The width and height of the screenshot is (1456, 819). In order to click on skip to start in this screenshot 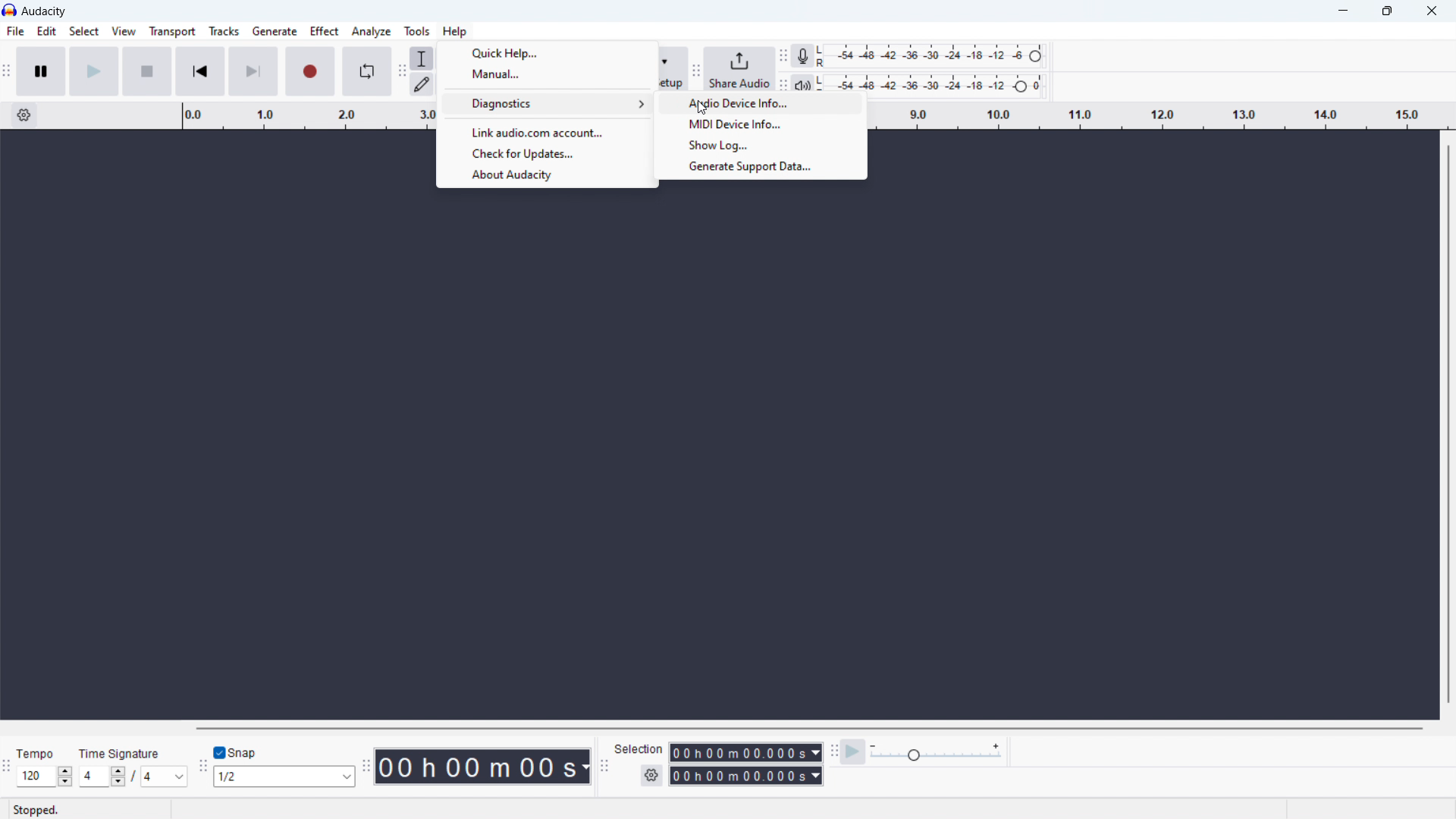, I will do `click(200, 71)`.